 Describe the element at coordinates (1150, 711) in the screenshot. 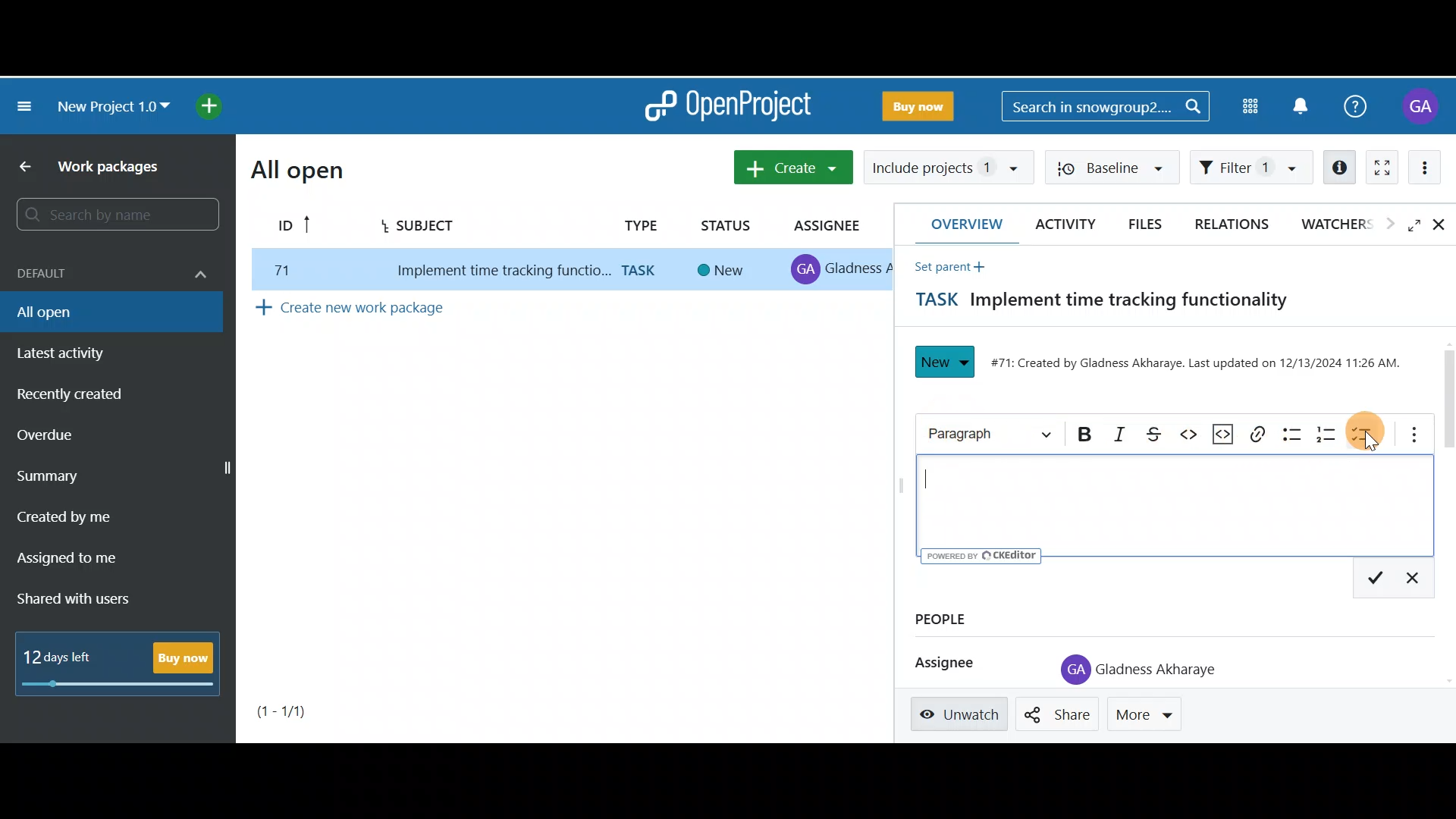

I see `More` at that location.